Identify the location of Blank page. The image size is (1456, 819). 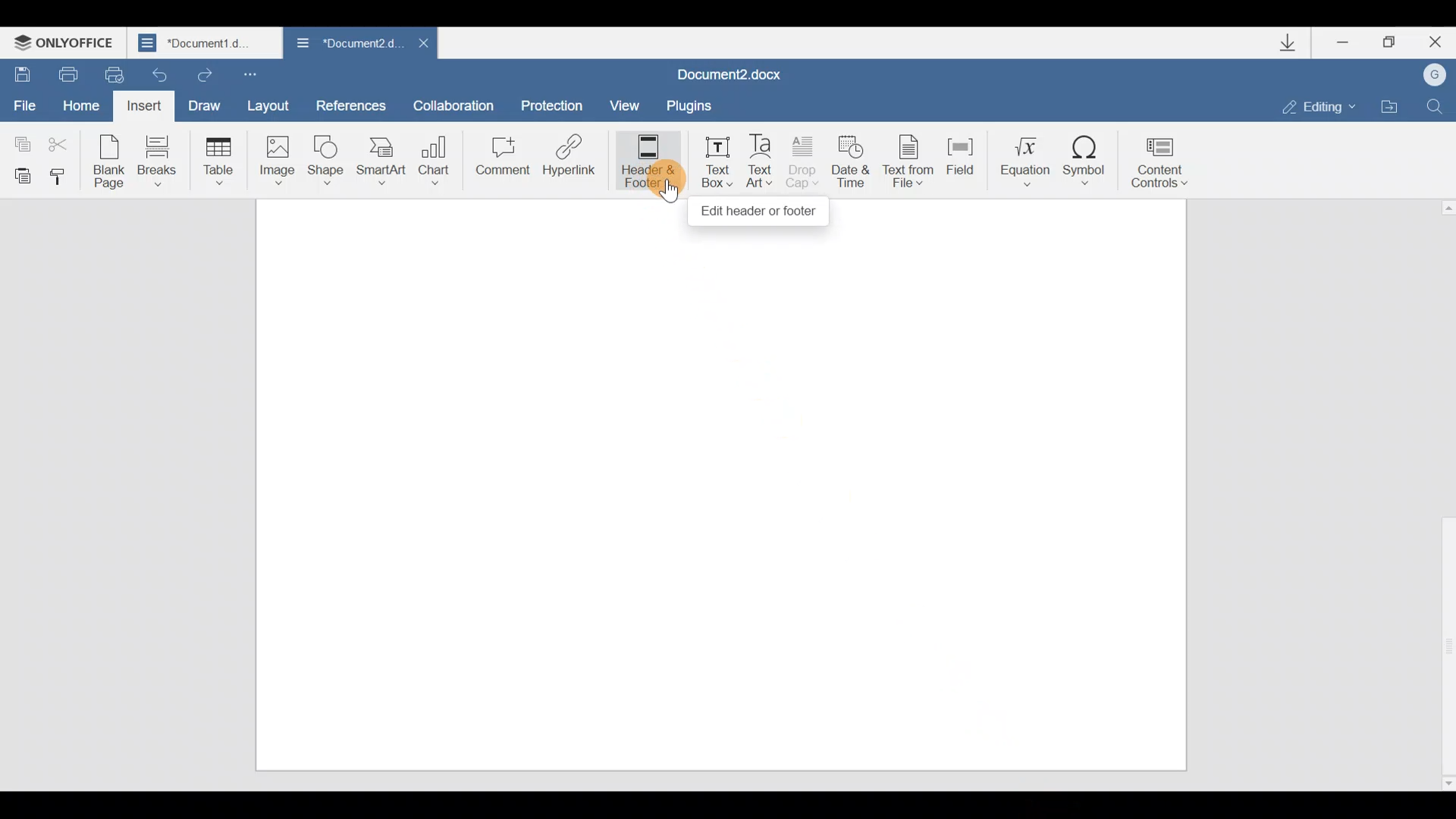
(111, 160).